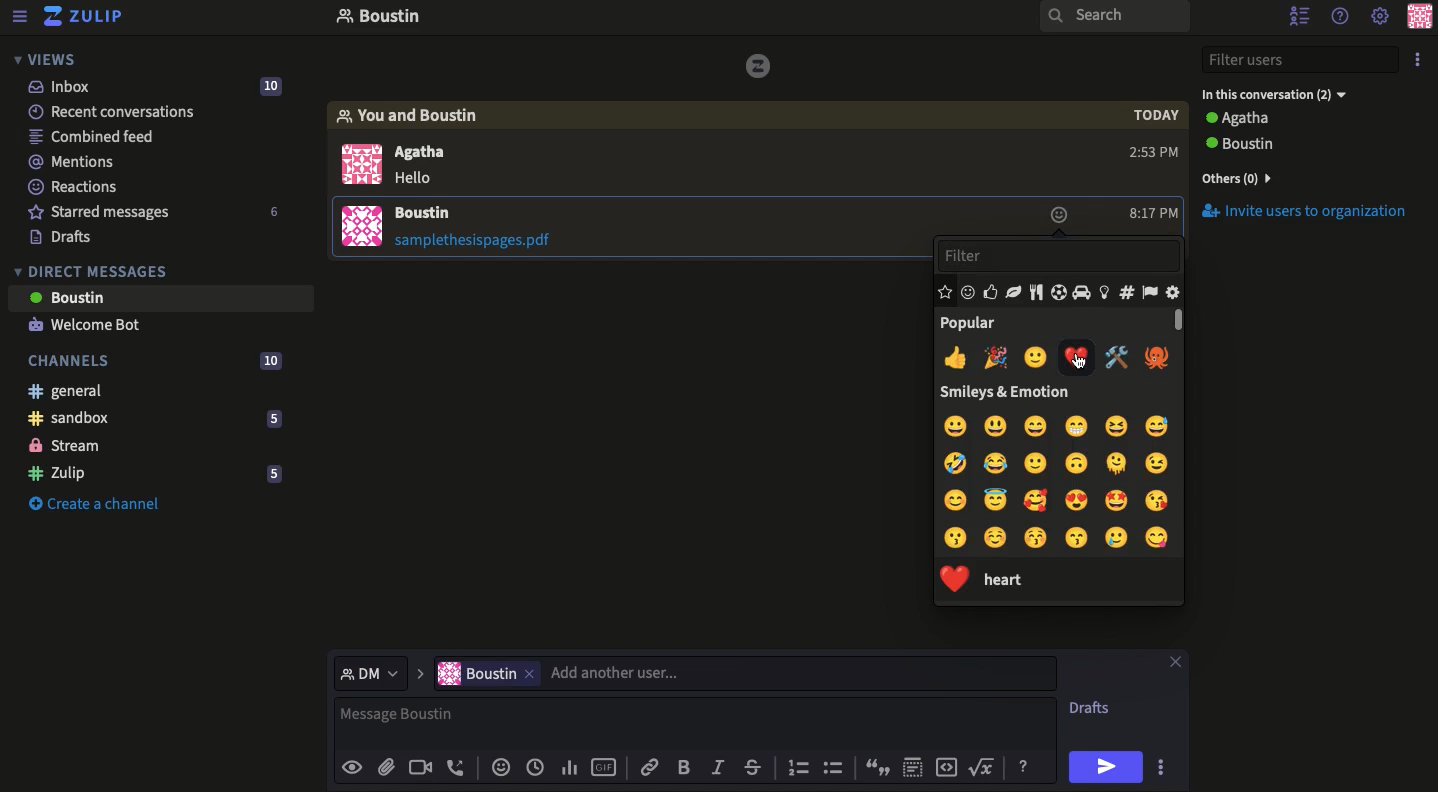 This screenshot has width=1438, height=792. I want to click on User, so click(169, 298).